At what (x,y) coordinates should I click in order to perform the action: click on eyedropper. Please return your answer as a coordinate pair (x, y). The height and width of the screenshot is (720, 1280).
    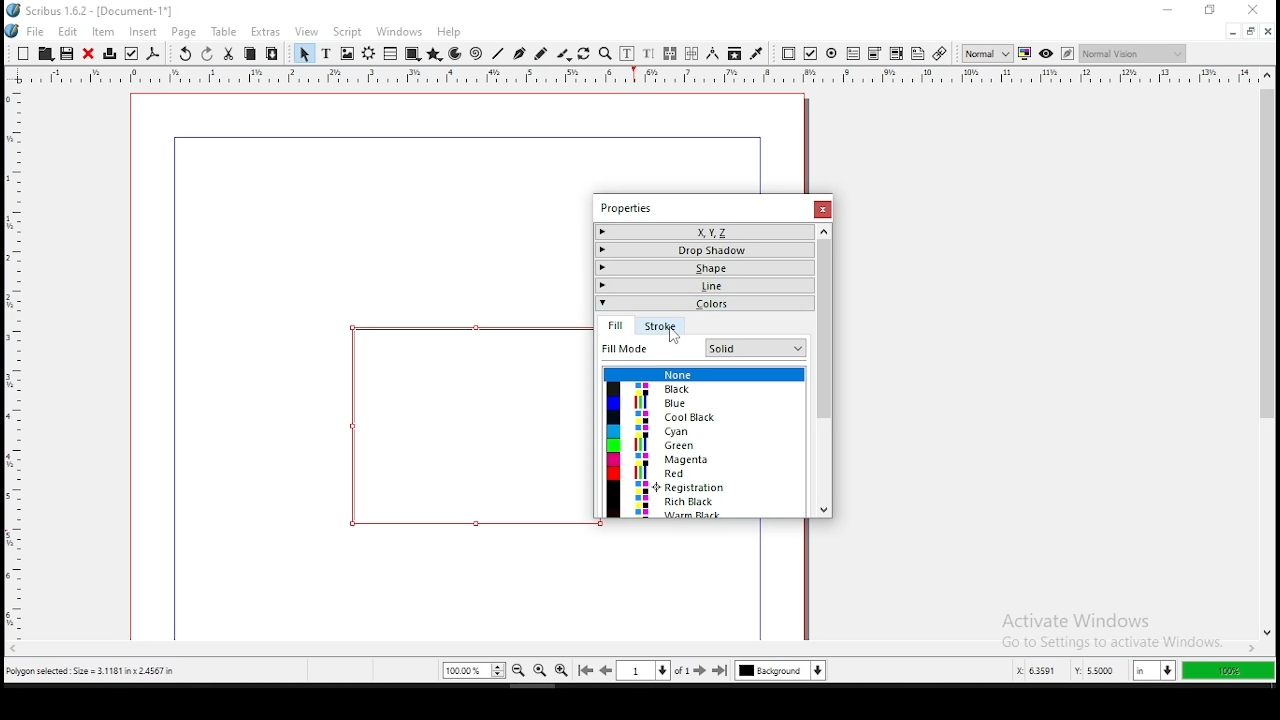
    Looking at the image, I should click on (757, 55).